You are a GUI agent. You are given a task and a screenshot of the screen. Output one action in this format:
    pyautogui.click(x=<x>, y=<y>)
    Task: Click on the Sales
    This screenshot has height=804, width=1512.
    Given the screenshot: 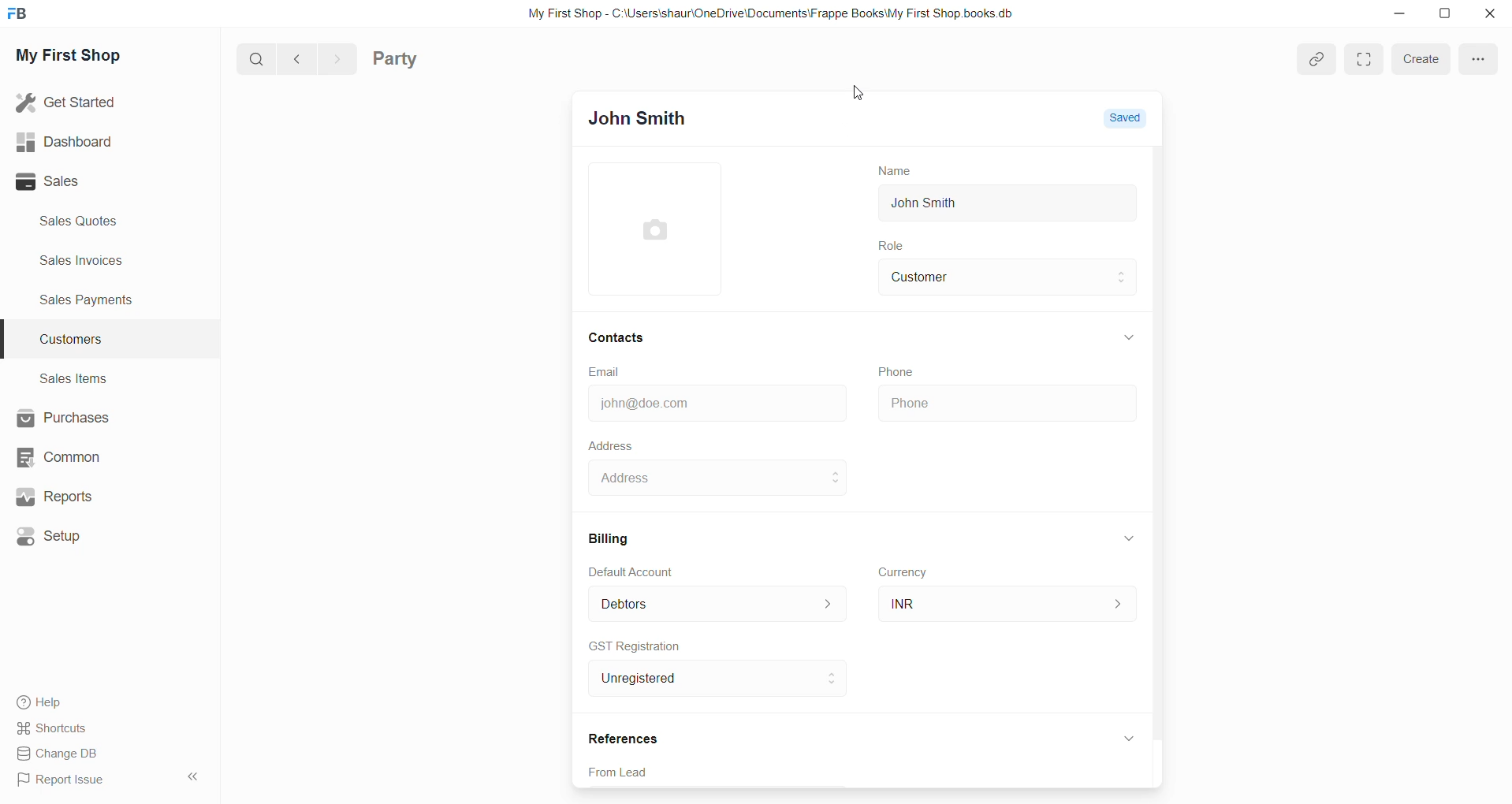 What is the action you would take?
    pyautogui.click(x=66, y=183)
    